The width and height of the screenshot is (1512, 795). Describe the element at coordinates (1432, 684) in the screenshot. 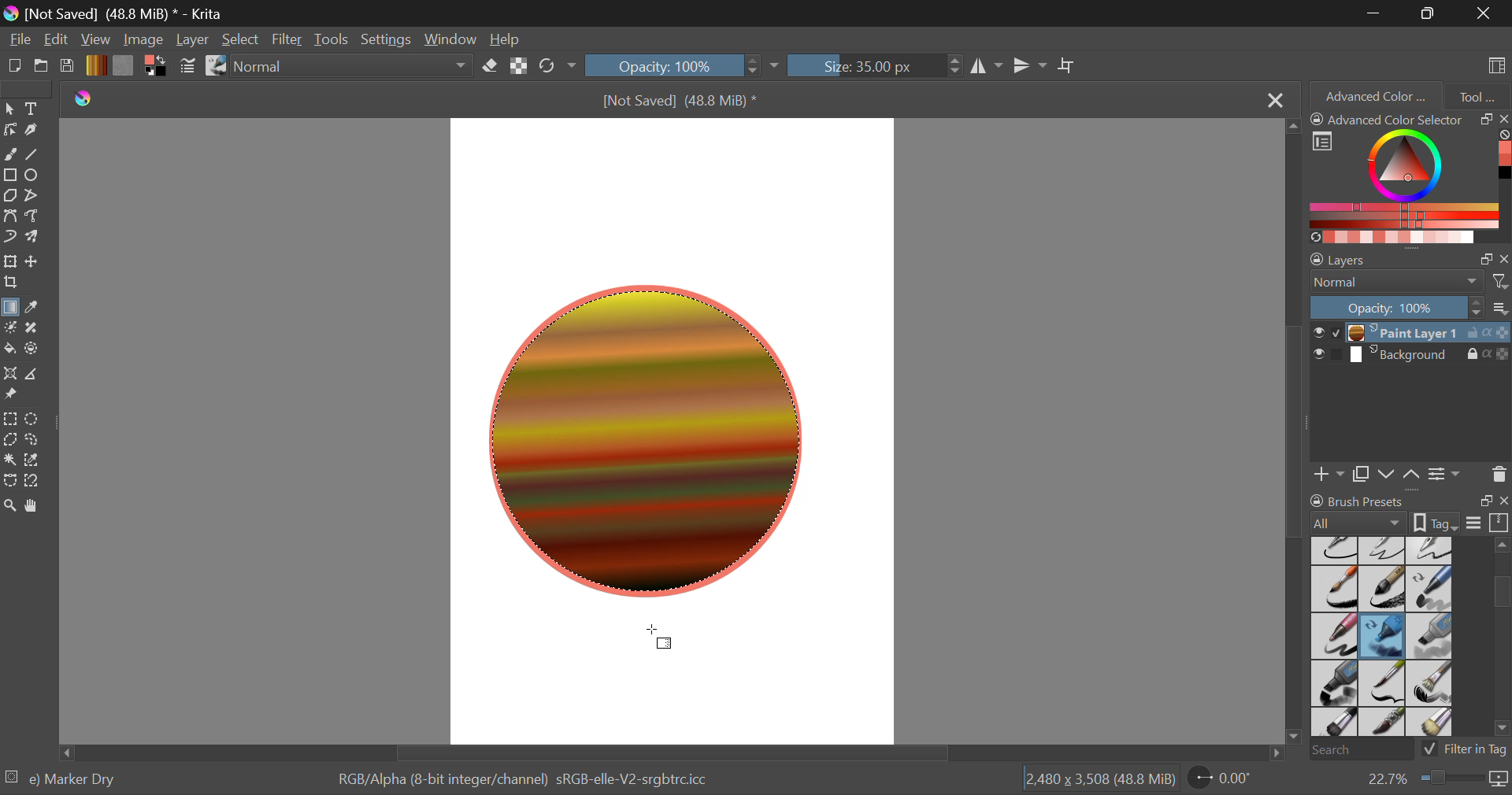

I see `Bristles-2 Flat Rough` at that location.